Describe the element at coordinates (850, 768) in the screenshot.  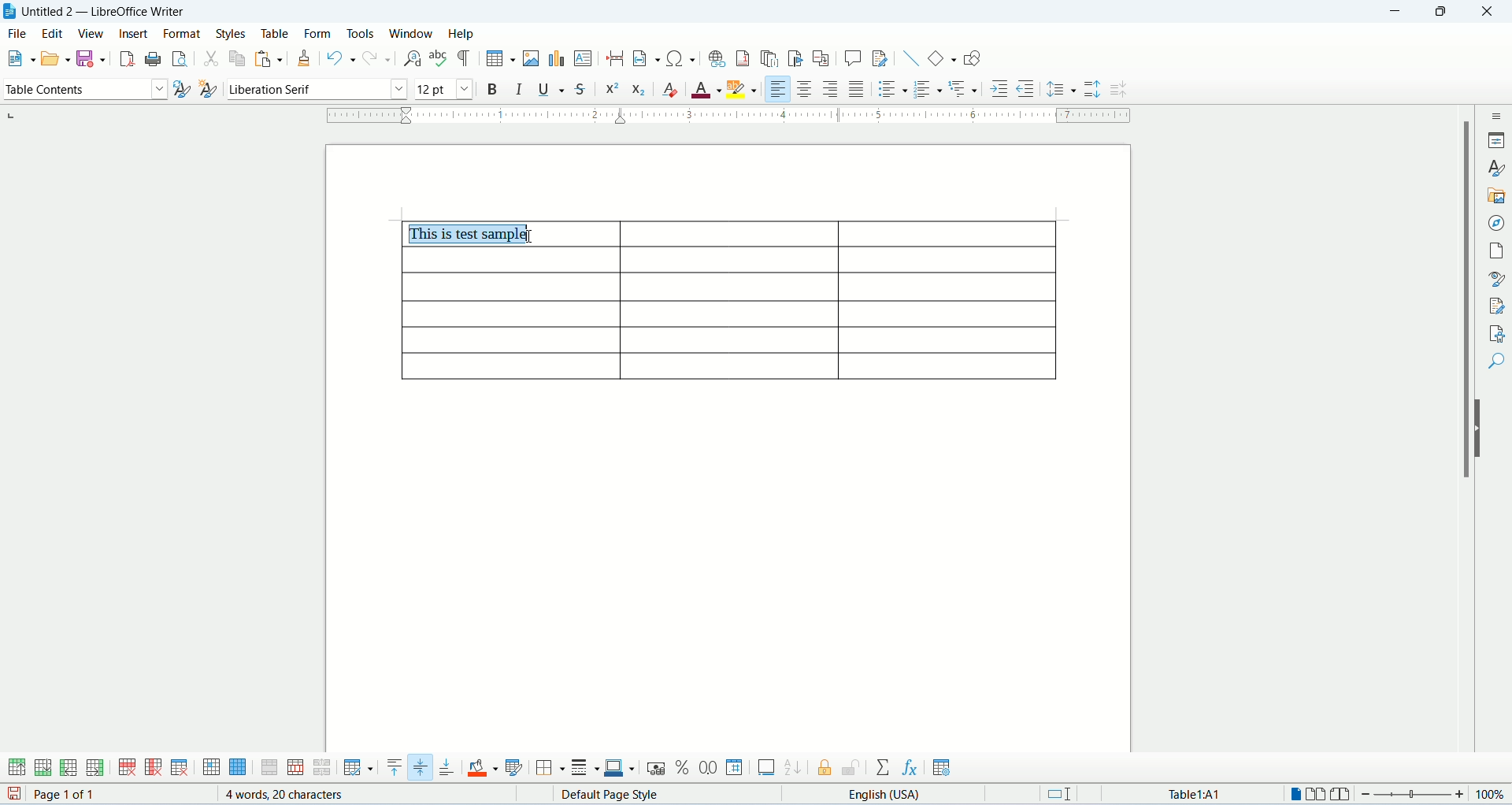
I see `unprotect cells` at that location.